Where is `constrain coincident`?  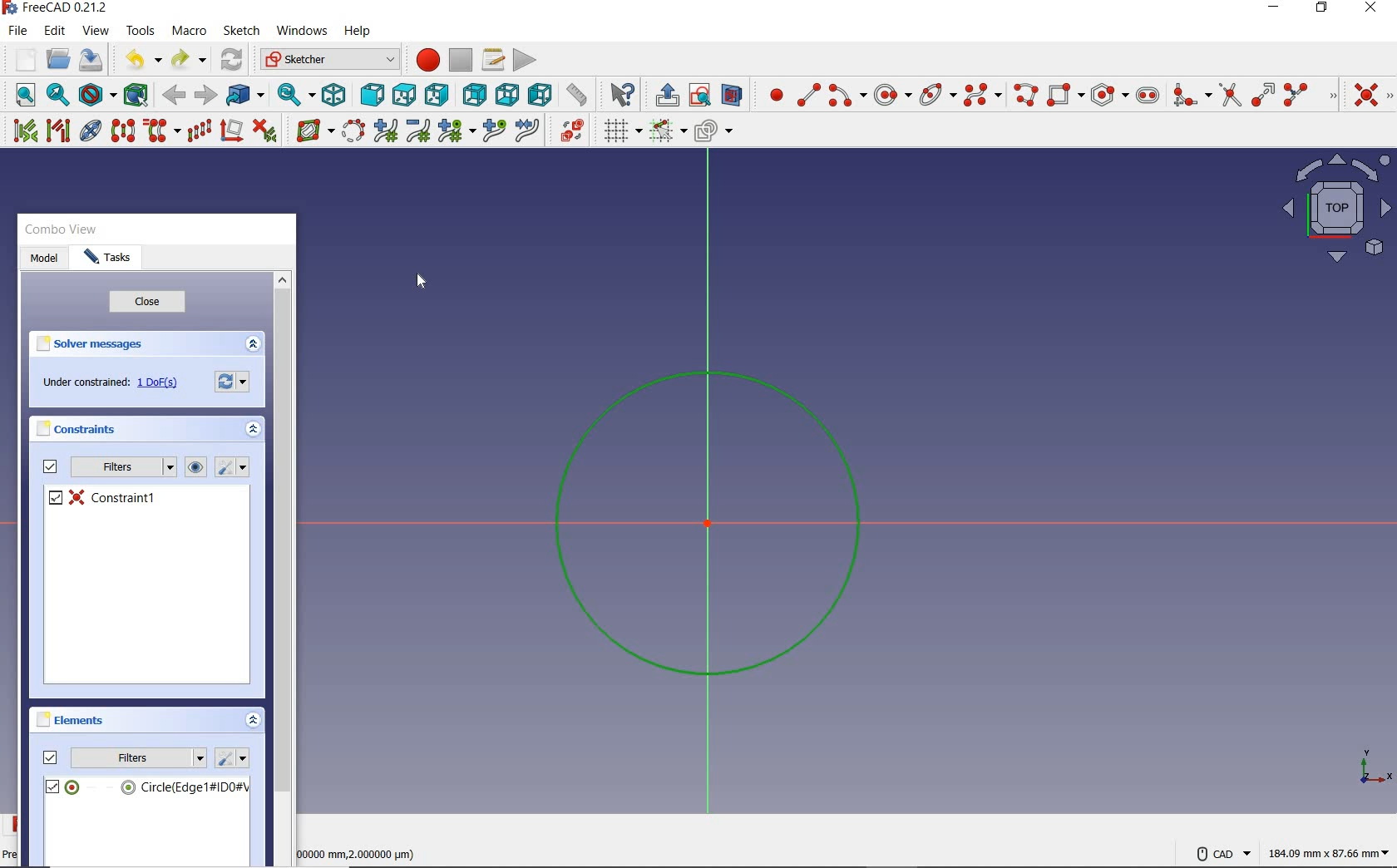
constrain coincident is located at coordinates (1370, 94).